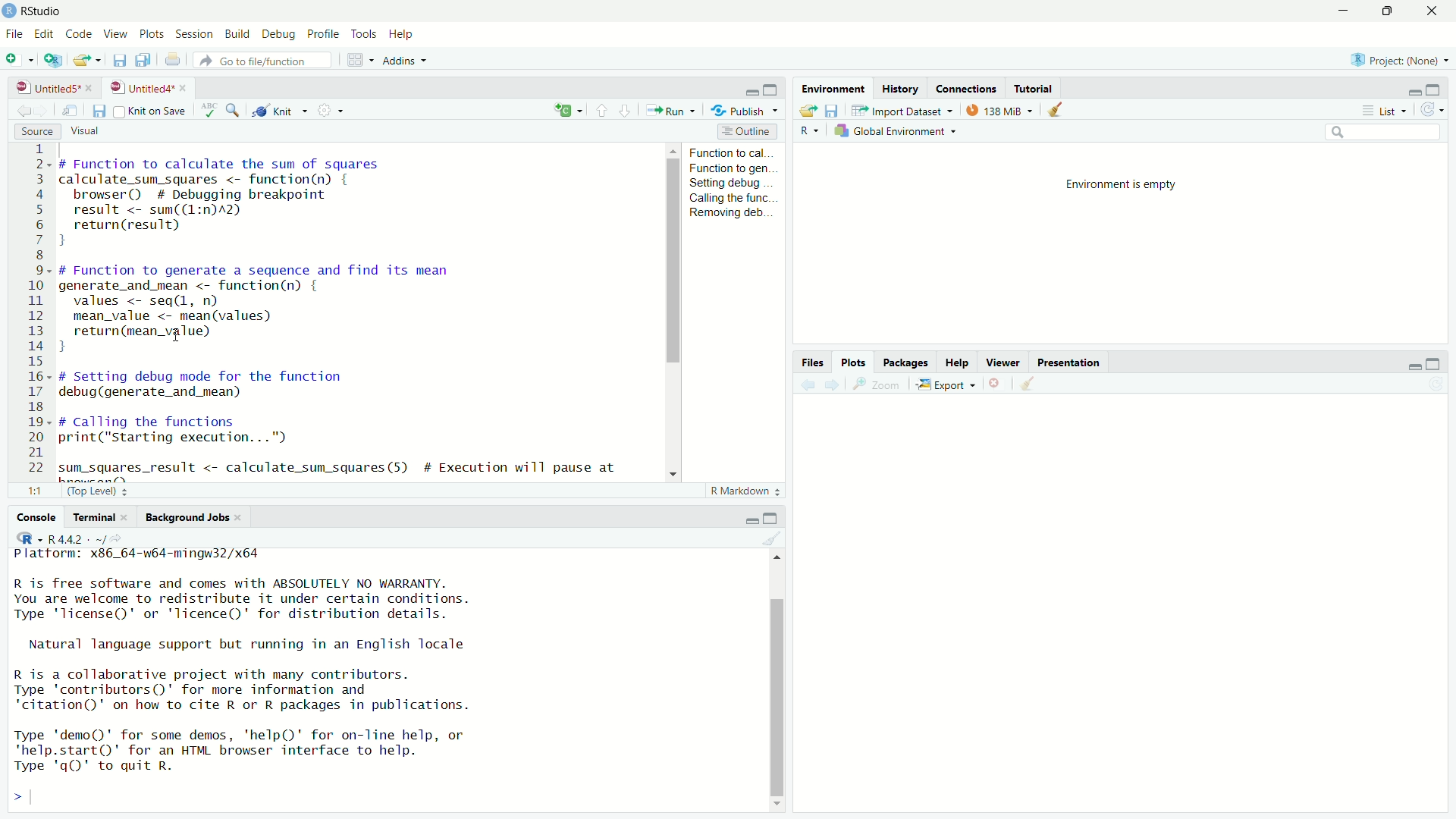  I want to click on R 4.4.2 . ~/, so click(77, 538).